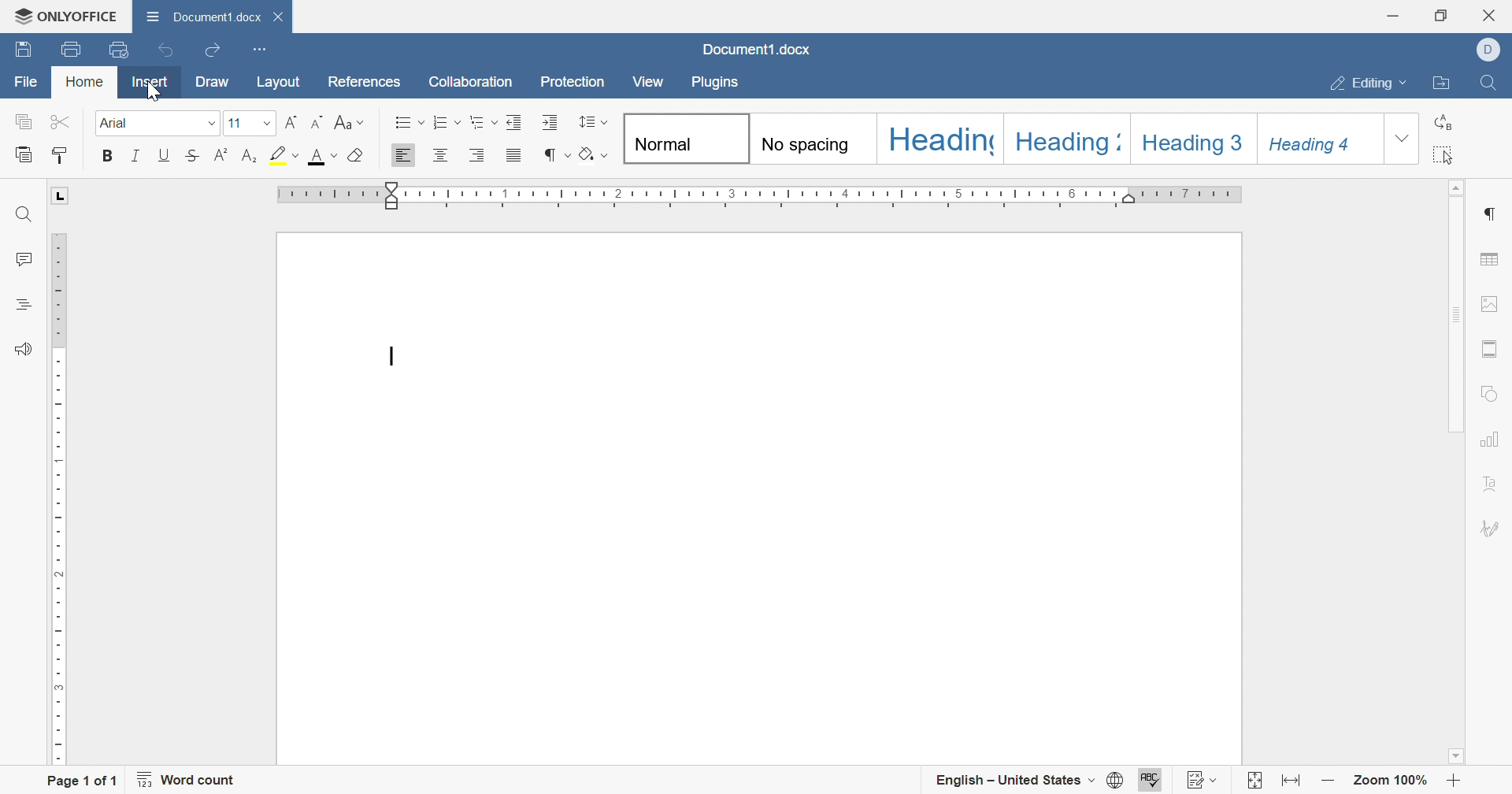 The height and width of the screenshot is (794, 1512). I want to click on Align center, so click(439, 155).